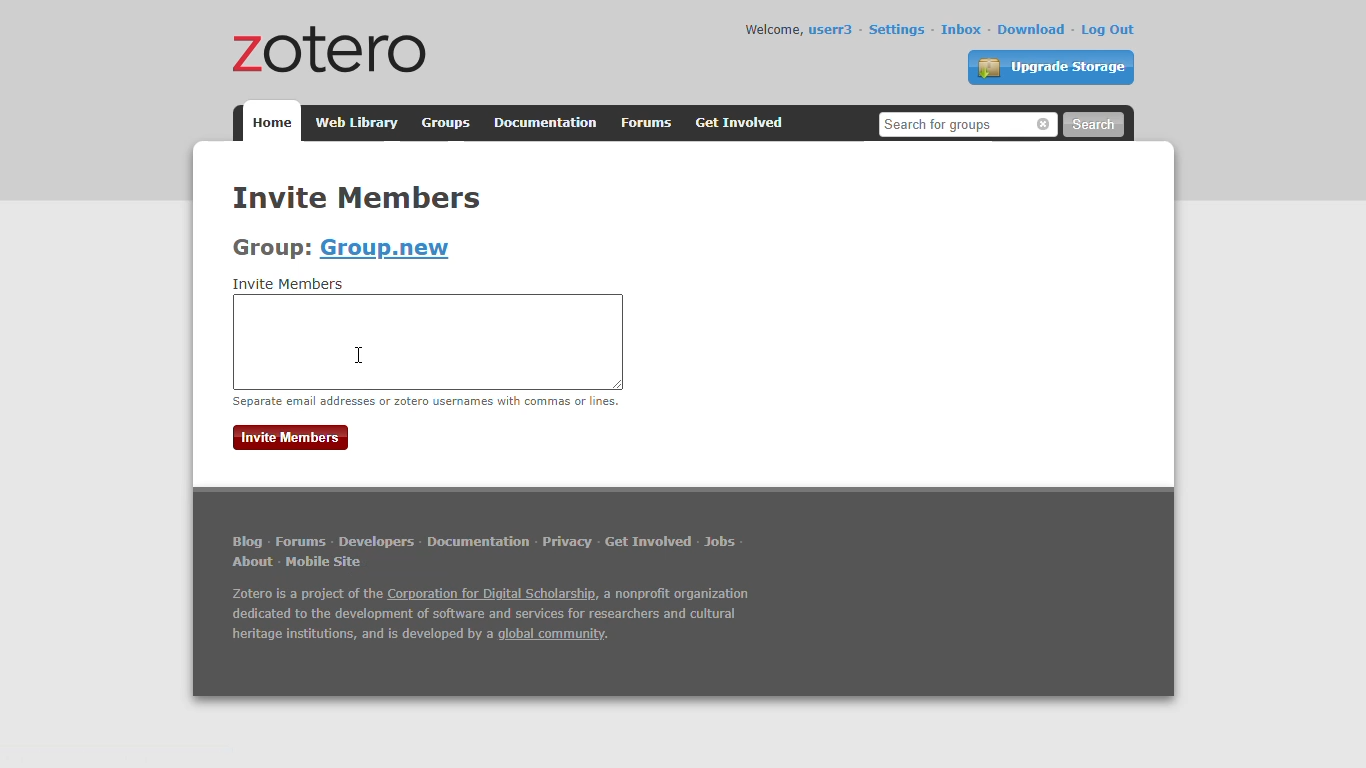 Image resolution: width=1366 pixels, height=768 pixels. What do you see at coordinates (1093, 125) in the screenshot?
I see `search` at bounding box center [1093, 125].